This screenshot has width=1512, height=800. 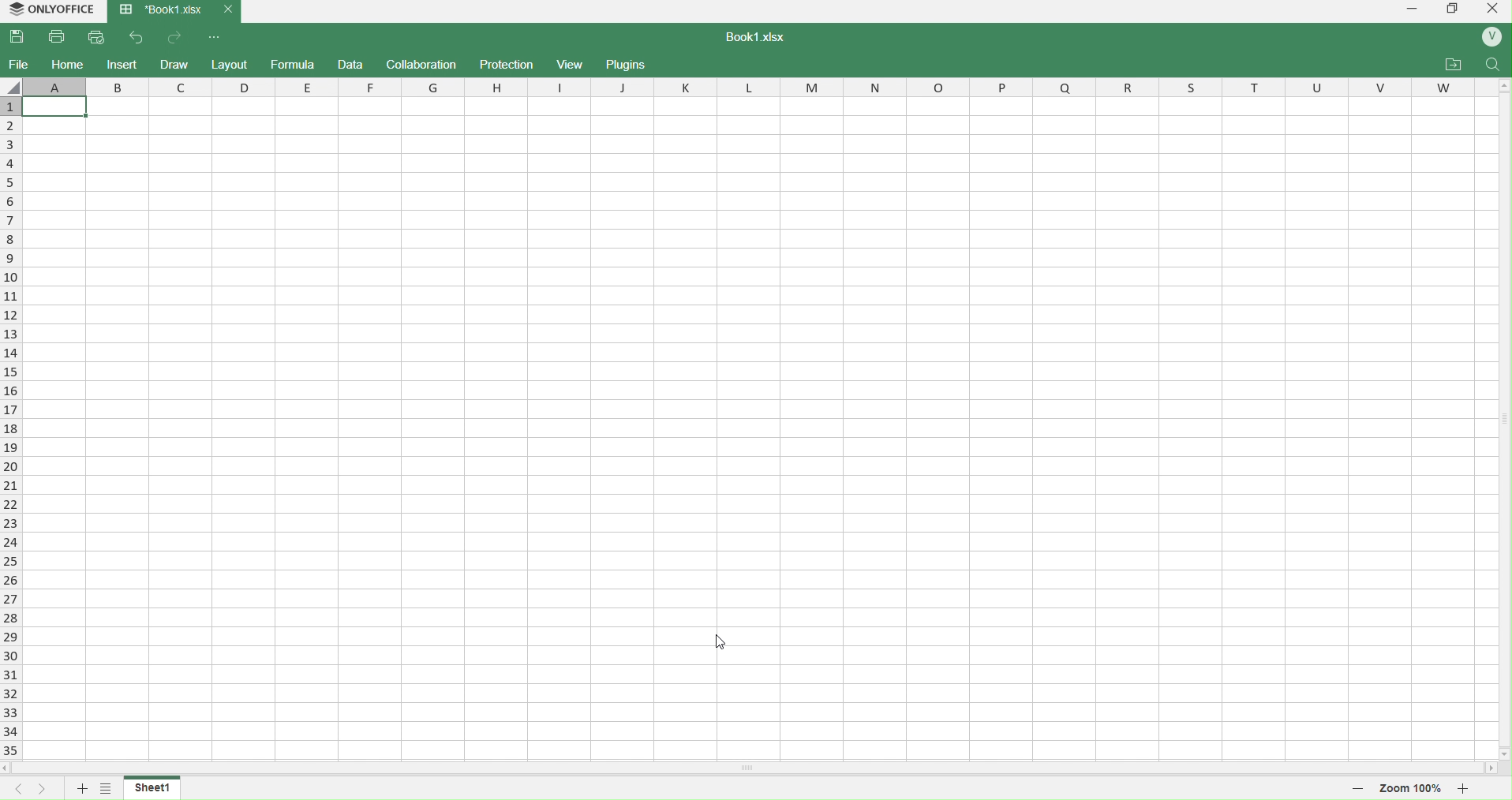 I want to click on save, so click(x=21, y=37).